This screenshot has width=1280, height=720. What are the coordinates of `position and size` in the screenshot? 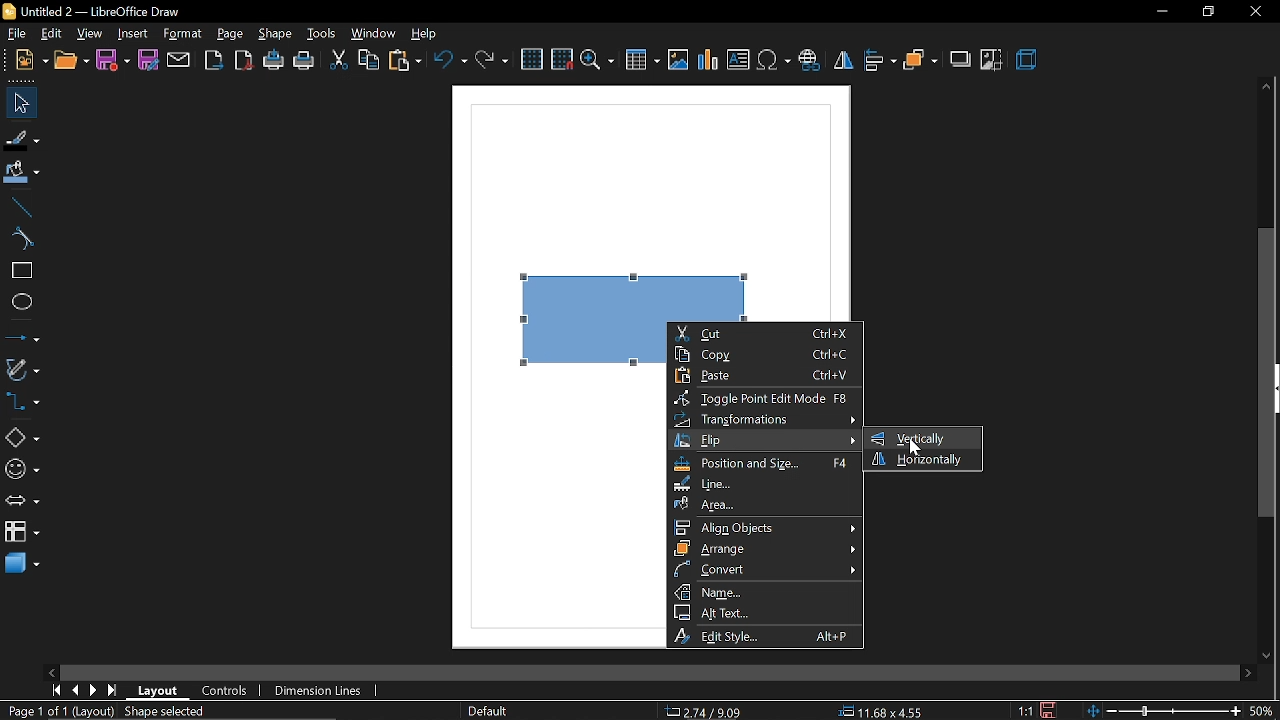 It's located at (765, 465).